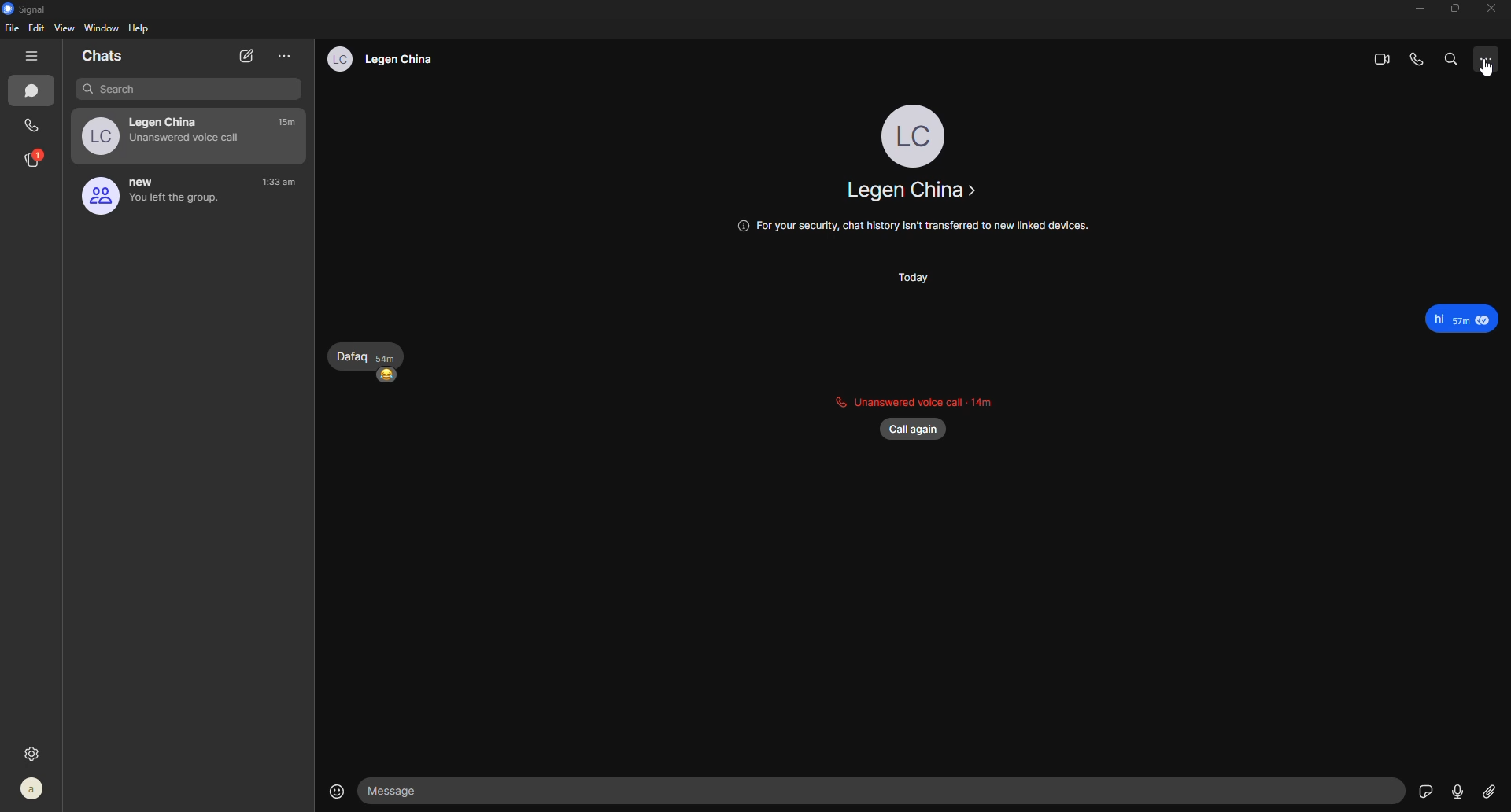 The width and height of the screenshot is (1511, 812). What do you see at coordinates (105, 55) in the screenshot?
I see `chats` at bounding box center [105, 55].